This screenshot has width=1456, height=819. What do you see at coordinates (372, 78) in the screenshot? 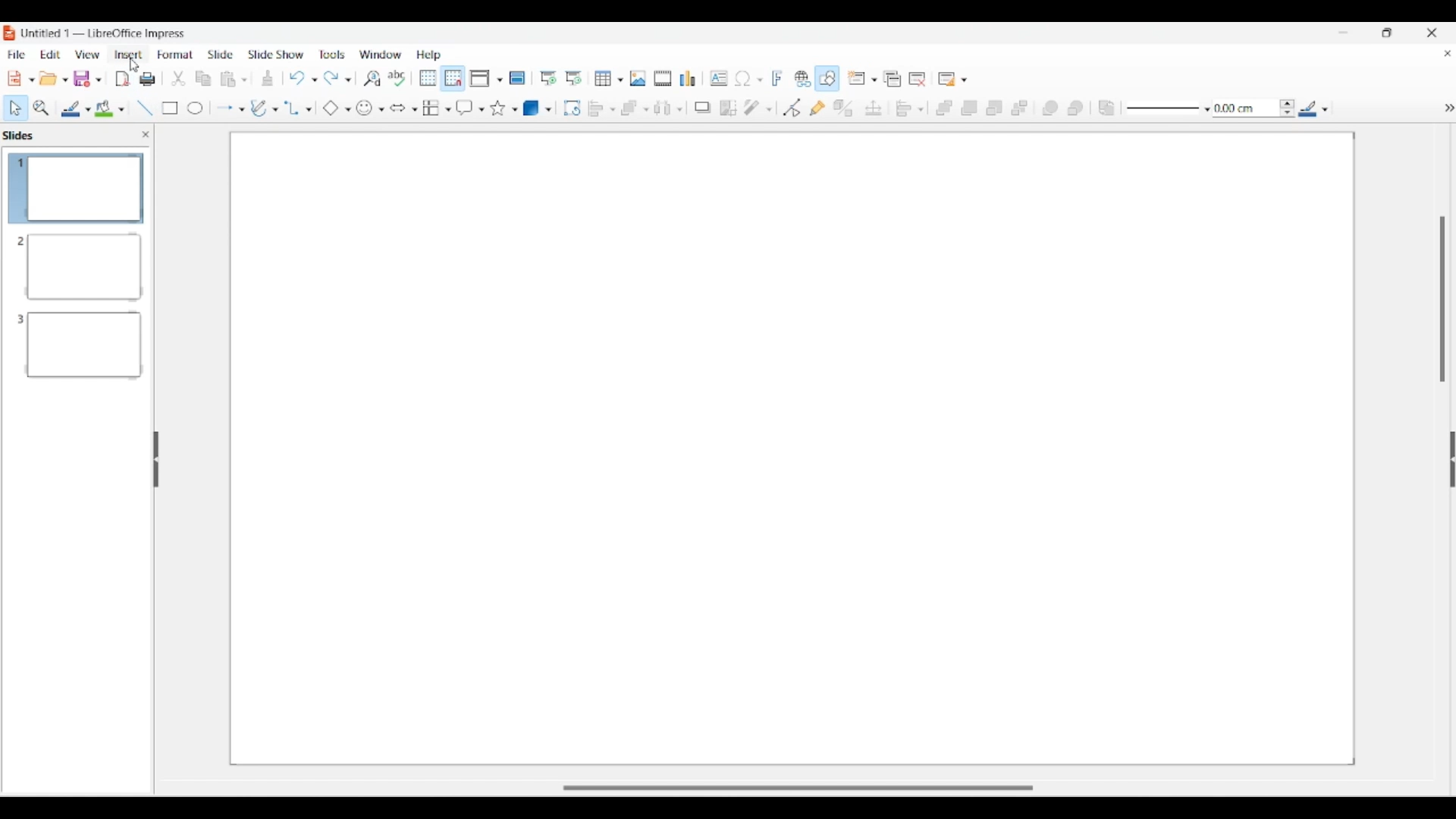
I see `Find and replace` at bounding box center [372, 78].